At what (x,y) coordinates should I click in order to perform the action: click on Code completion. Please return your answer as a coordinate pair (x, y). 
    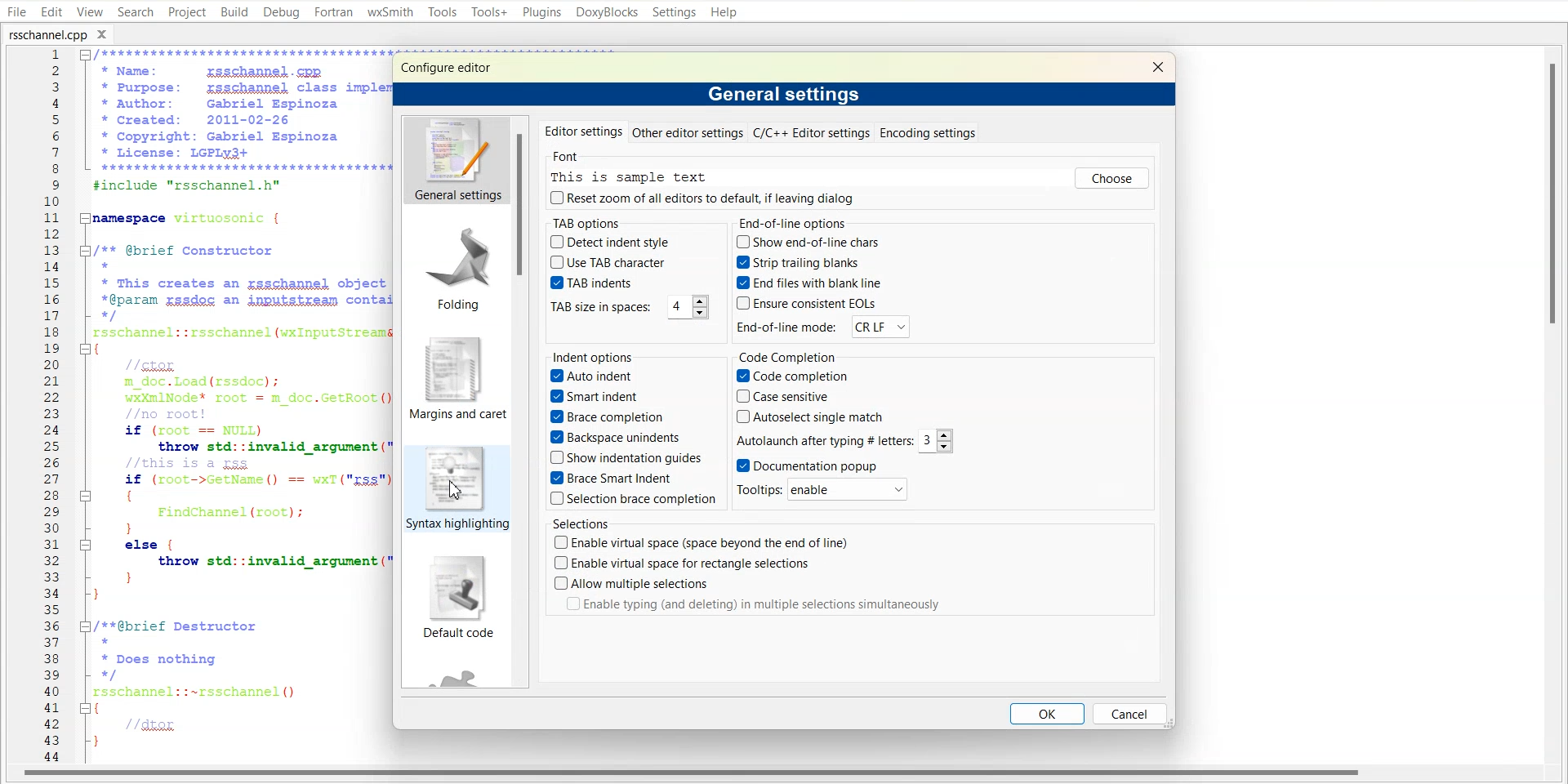
    Looking at the image, I should click on (795, 376).